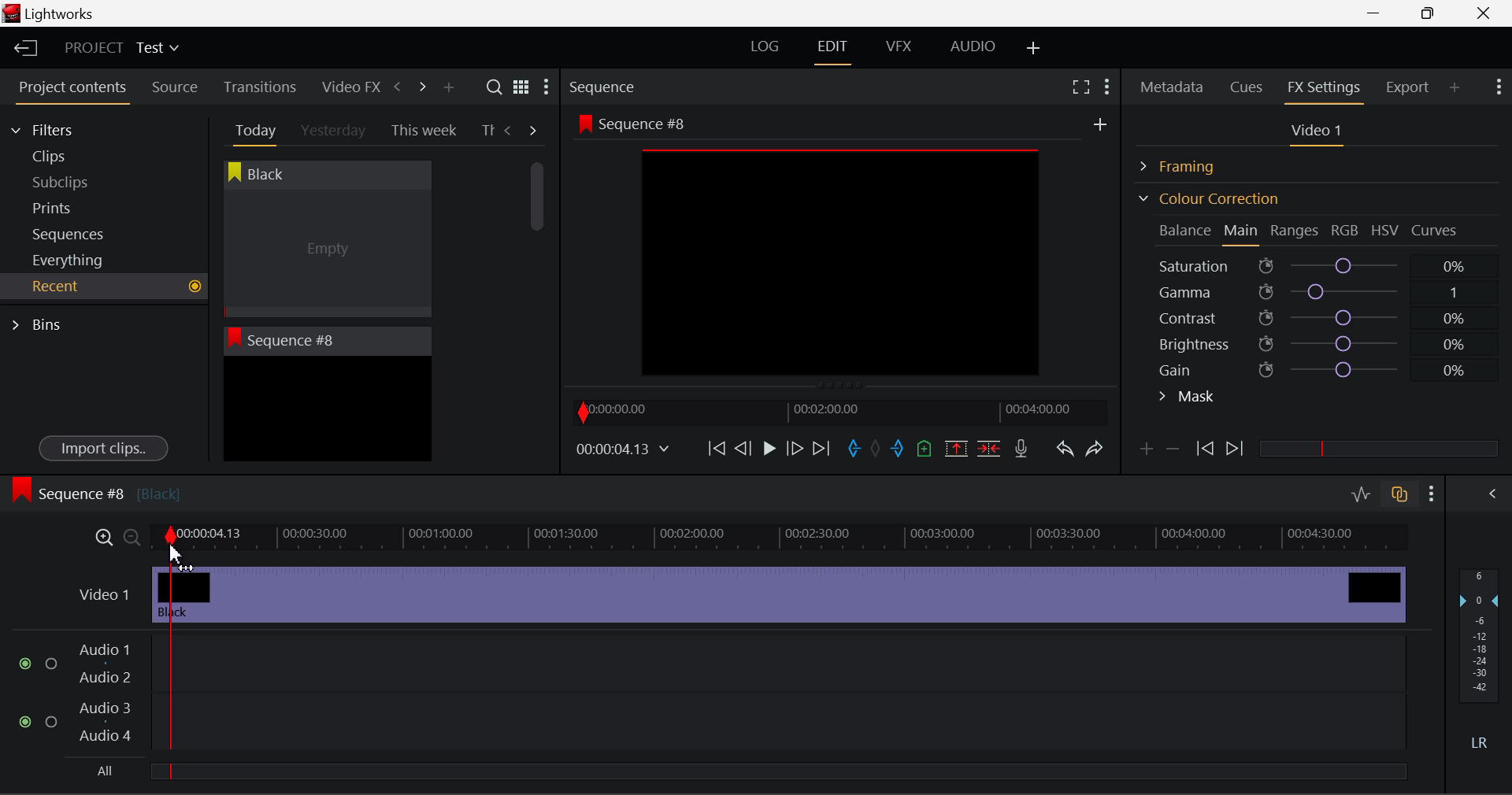  Describe the element at coordinates (1432, 13) in the screenshot. I see `Minimize` at that location.